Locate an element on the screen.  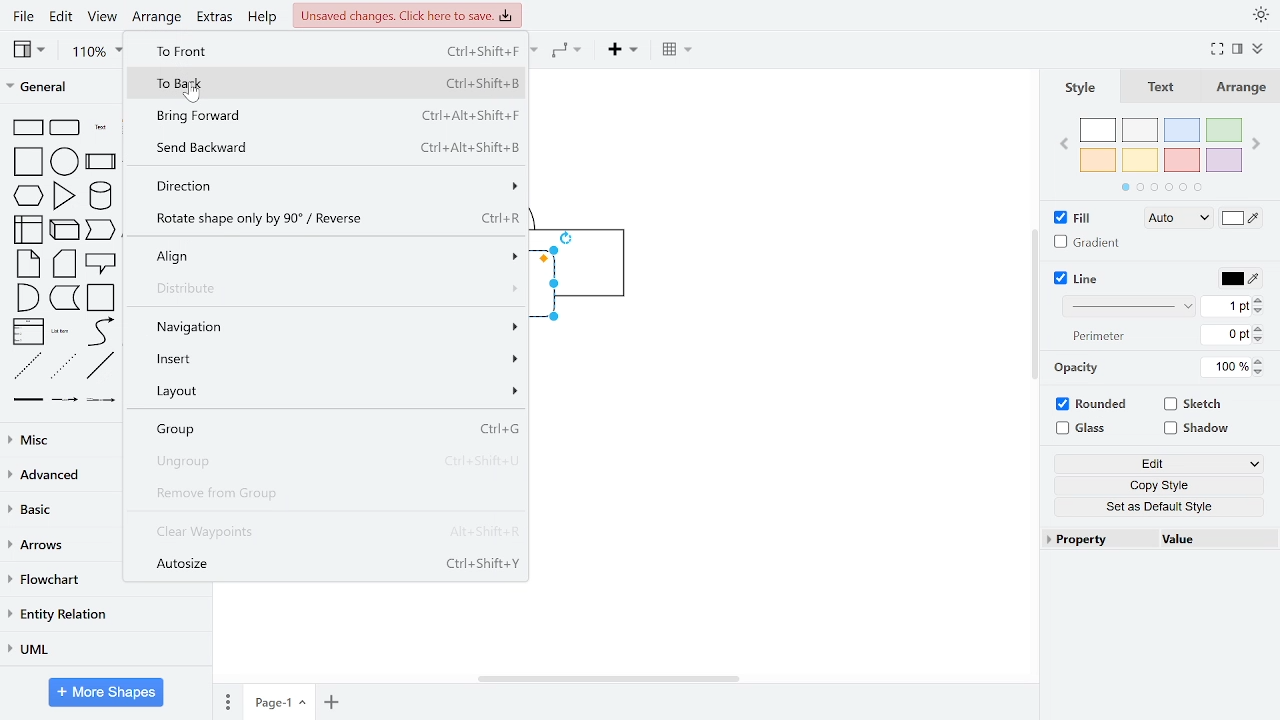
autosize is located at coordinates (328, 564).